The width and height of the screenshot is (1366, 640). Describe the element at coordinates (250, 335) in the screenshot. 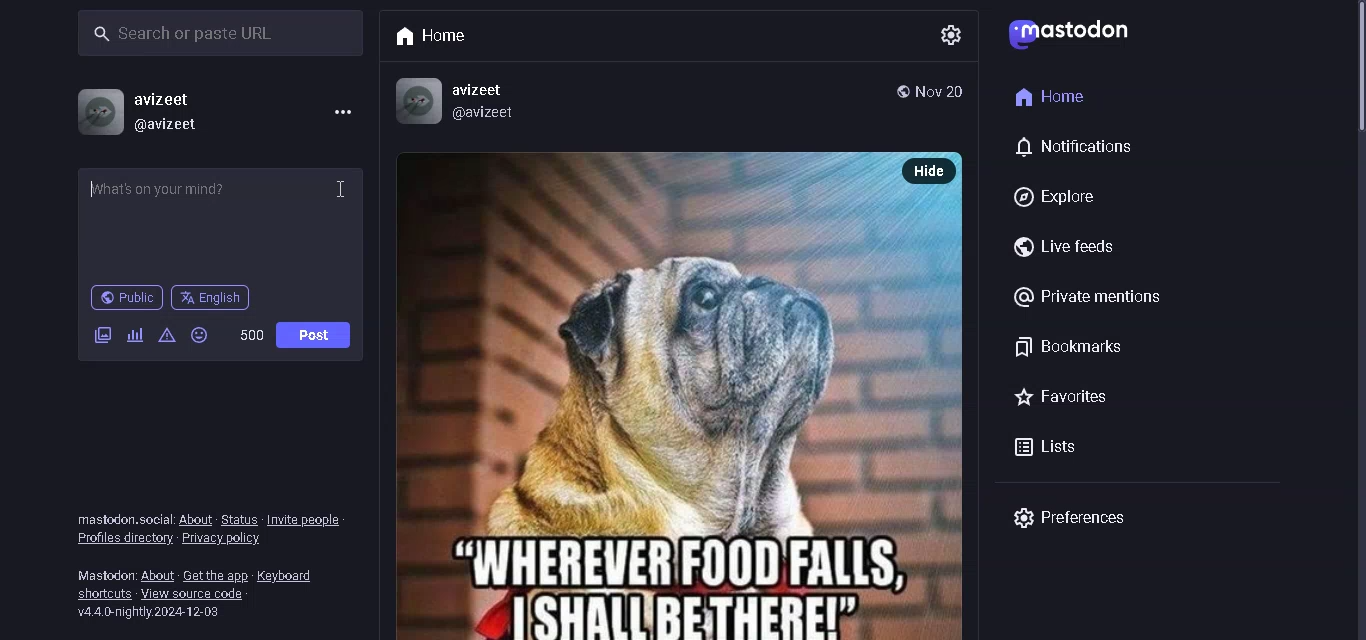

I see `word limit` at that location.